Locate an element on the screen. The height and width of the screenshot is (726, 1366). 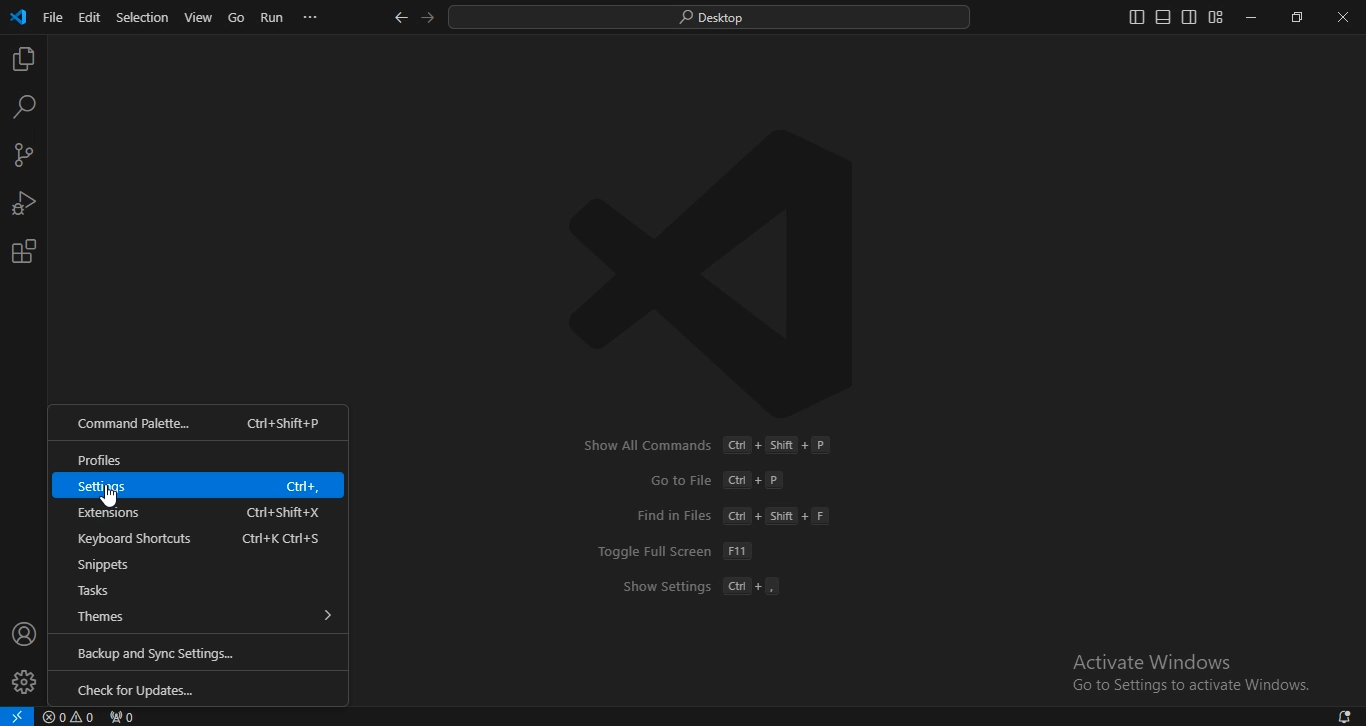
extension is located at coordinates (25, 251).